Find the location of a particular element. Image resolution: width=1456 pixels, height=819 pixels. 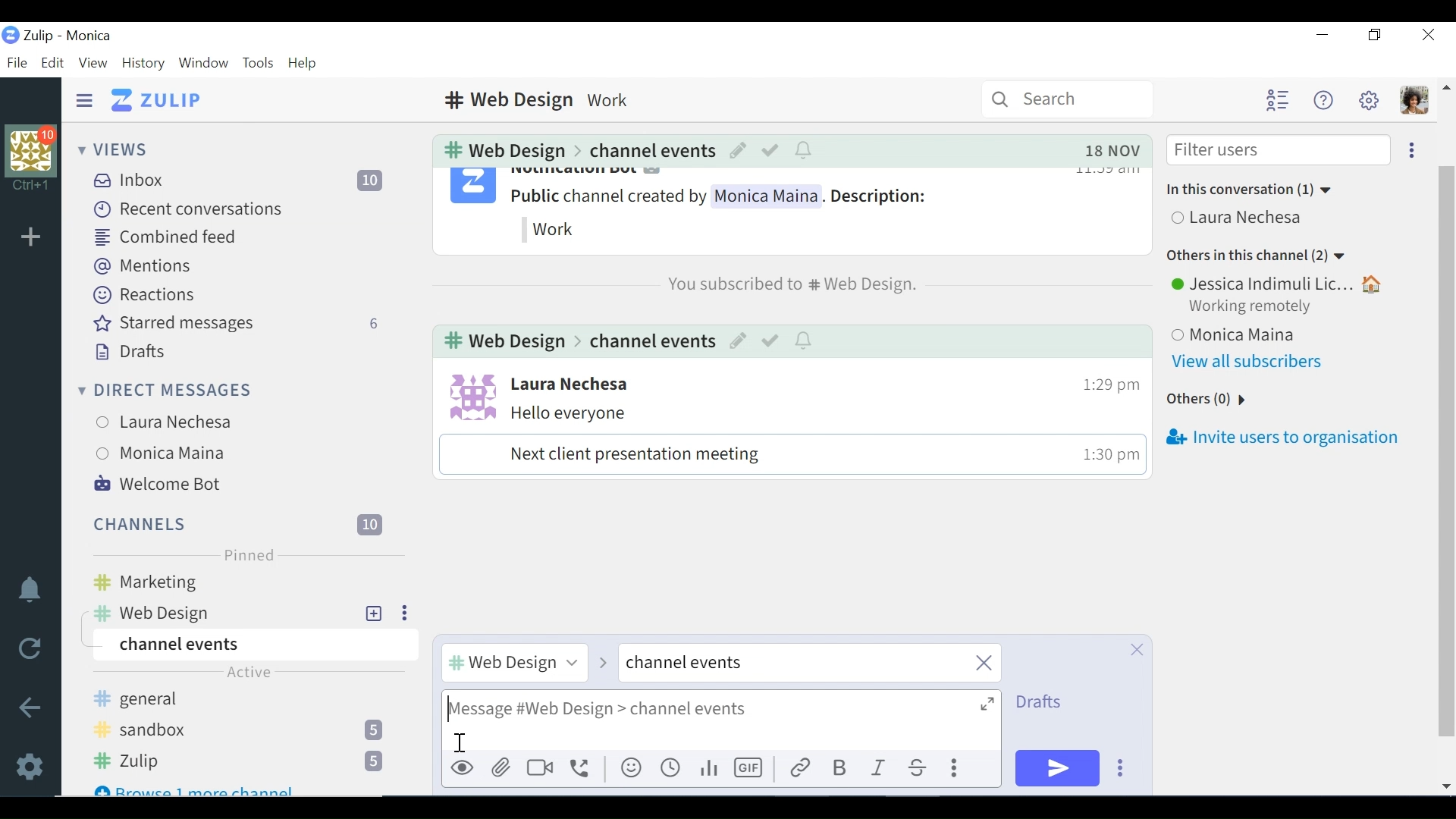

time is located at coordinates (1104, 457).